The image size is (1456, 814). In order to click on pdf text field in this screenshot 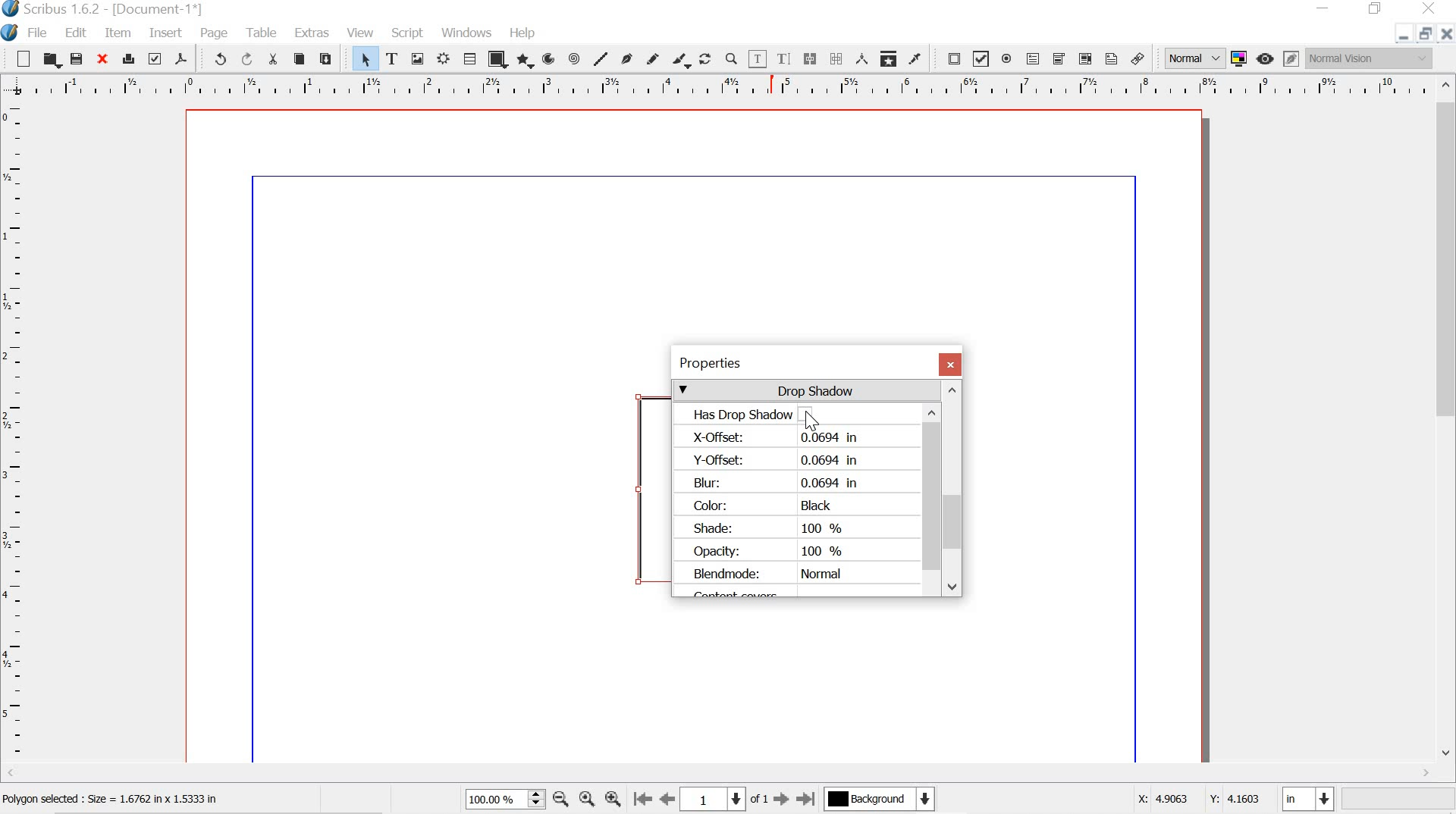, I will do `click(1032, 58)`.